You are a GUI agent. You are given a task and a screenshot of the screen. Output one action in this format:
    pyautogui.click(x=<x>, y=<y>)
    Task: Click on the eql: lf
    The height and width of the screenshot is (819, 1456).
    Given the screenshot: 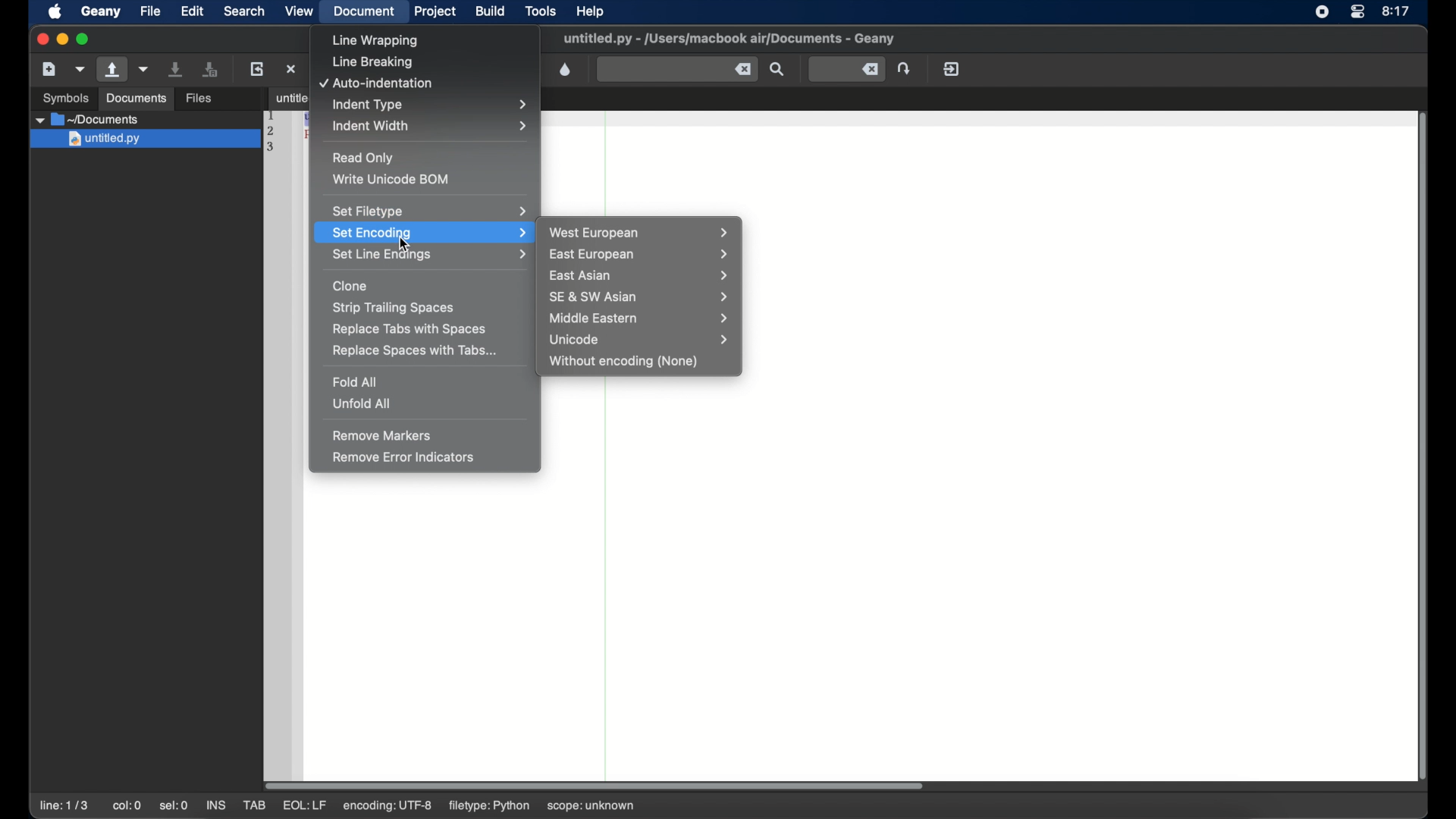 What is the action you would take?
    pyautogui.click(x=388, y=805)
    